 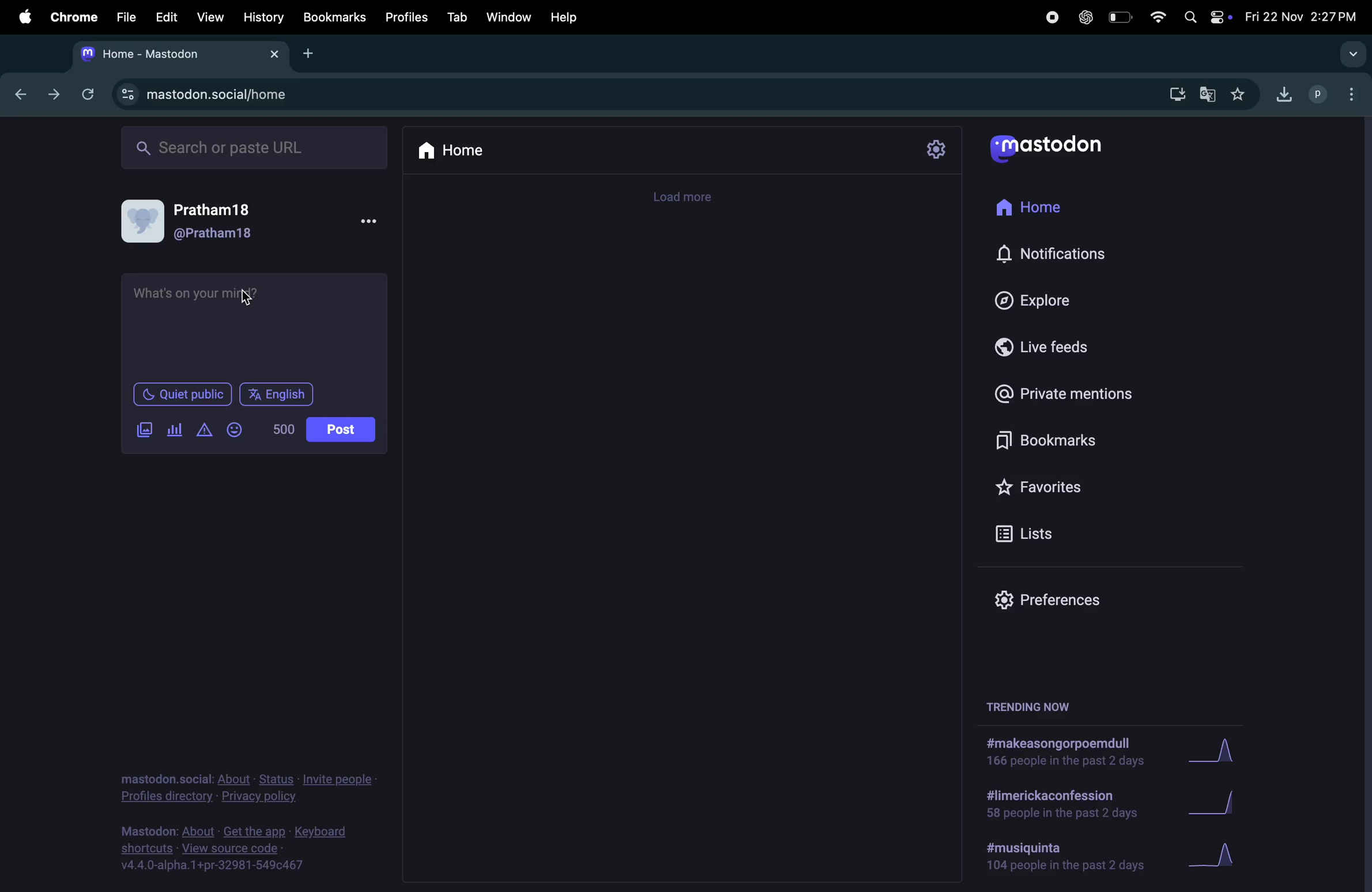 What do you see at coordinates (278, 430) in the screenshot?
I see `number of words` at bounding box center [278, 430].